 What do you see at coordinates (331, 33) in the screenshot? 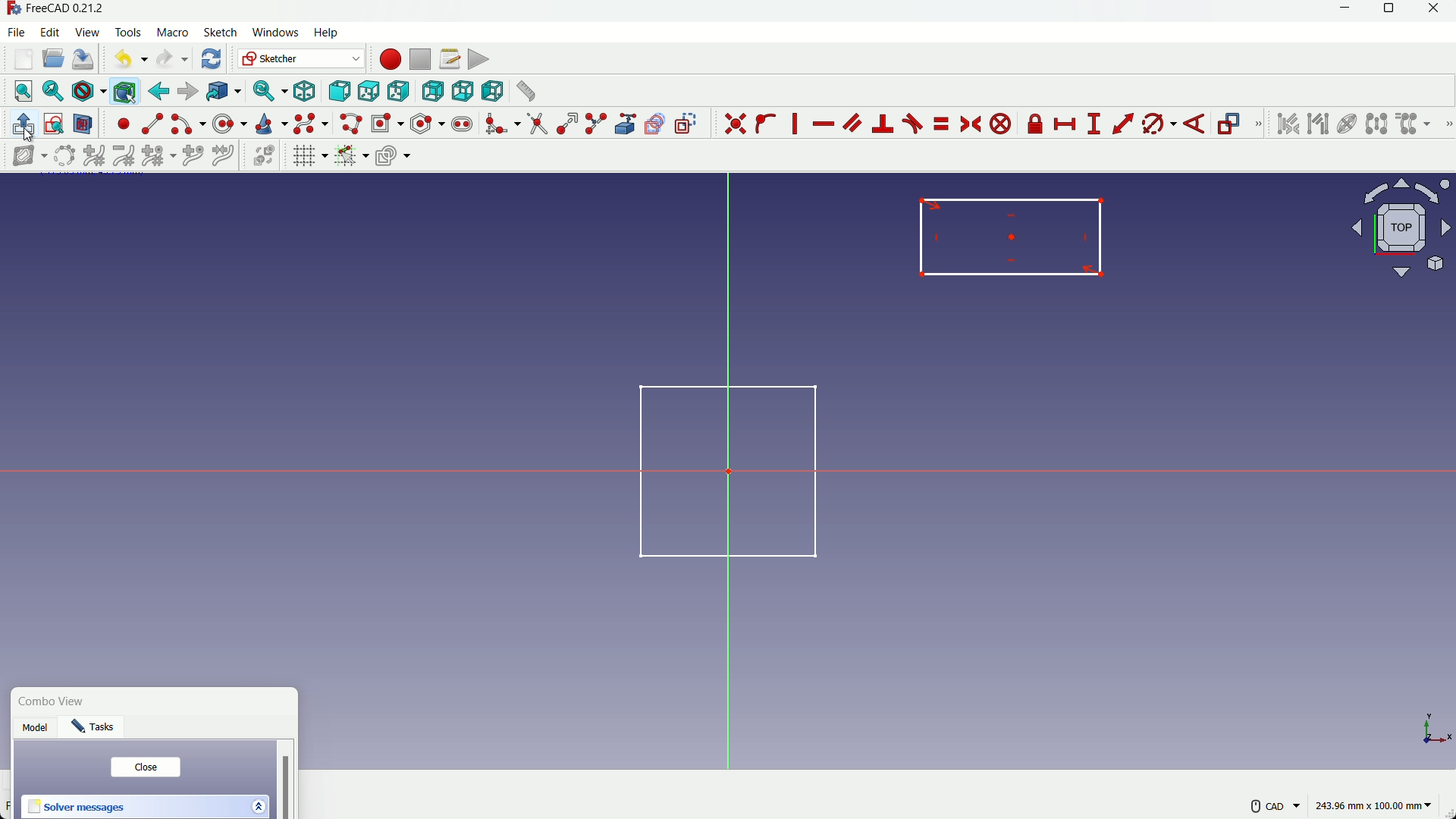
I see `help menu` at bounding box center [331, 33].